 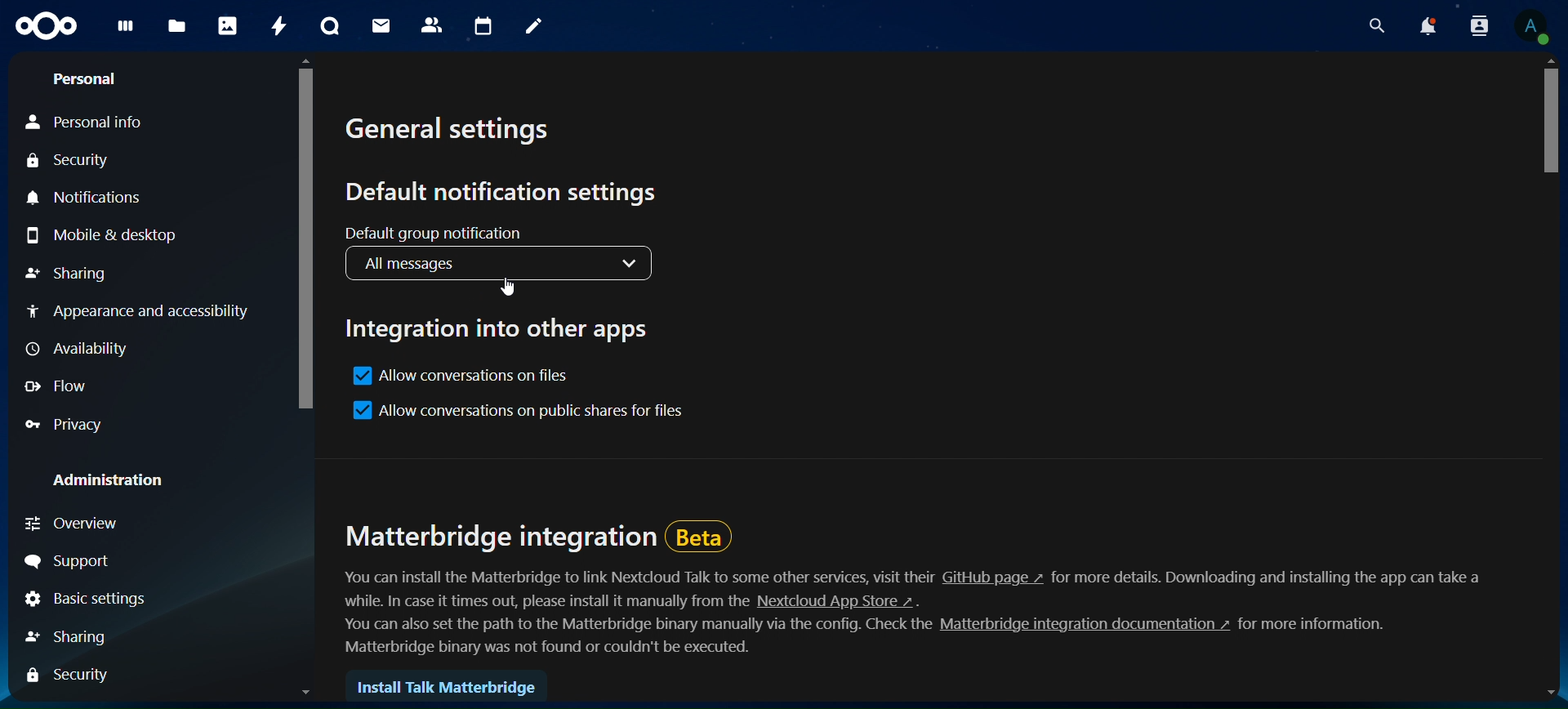 What do you see at coordinates (500, 264) in the screenshot?
I see `all messages` at bounding box center [500, 264].